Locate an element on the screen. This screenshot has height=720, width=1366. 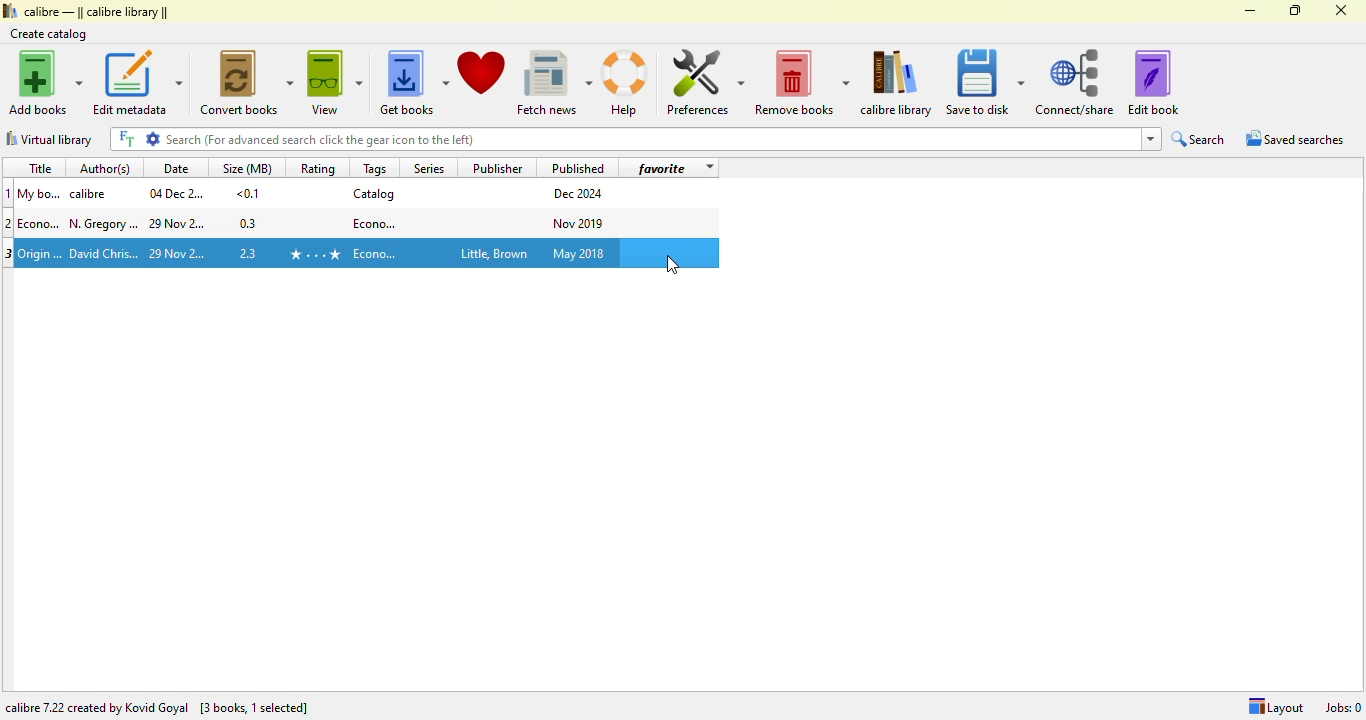
size(MB) is located at coordinates (246, 167).